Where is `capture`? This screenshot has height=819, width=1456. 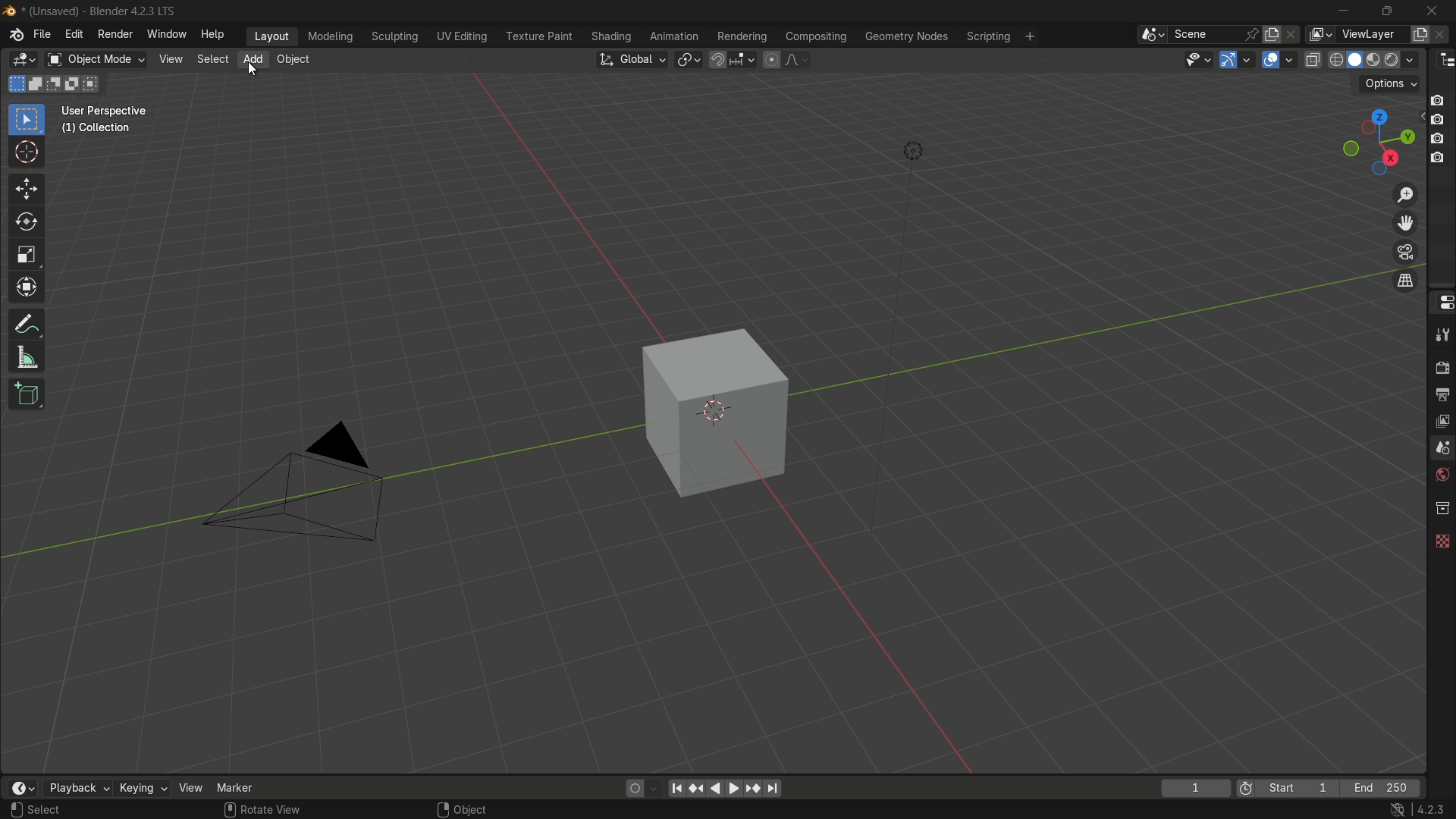
capture is located at coordinates (1439, 121).